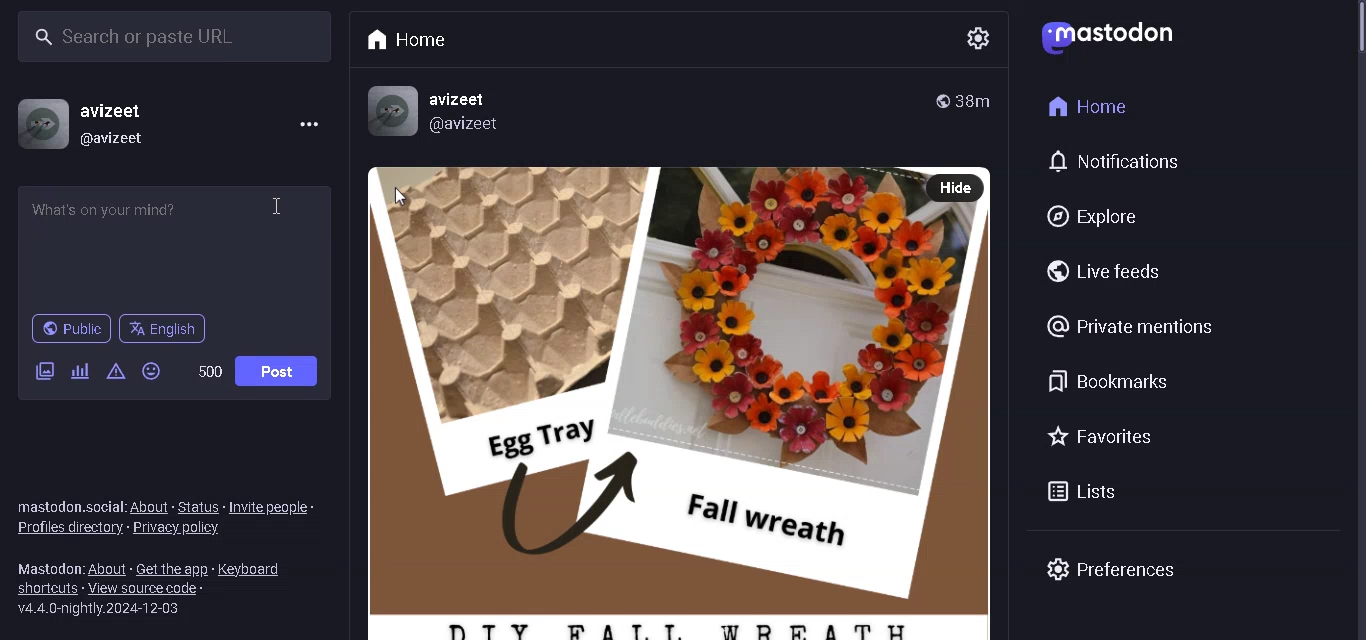 This screenshot has height=640, width=1366. I want to click on english language, so click(168, 331).